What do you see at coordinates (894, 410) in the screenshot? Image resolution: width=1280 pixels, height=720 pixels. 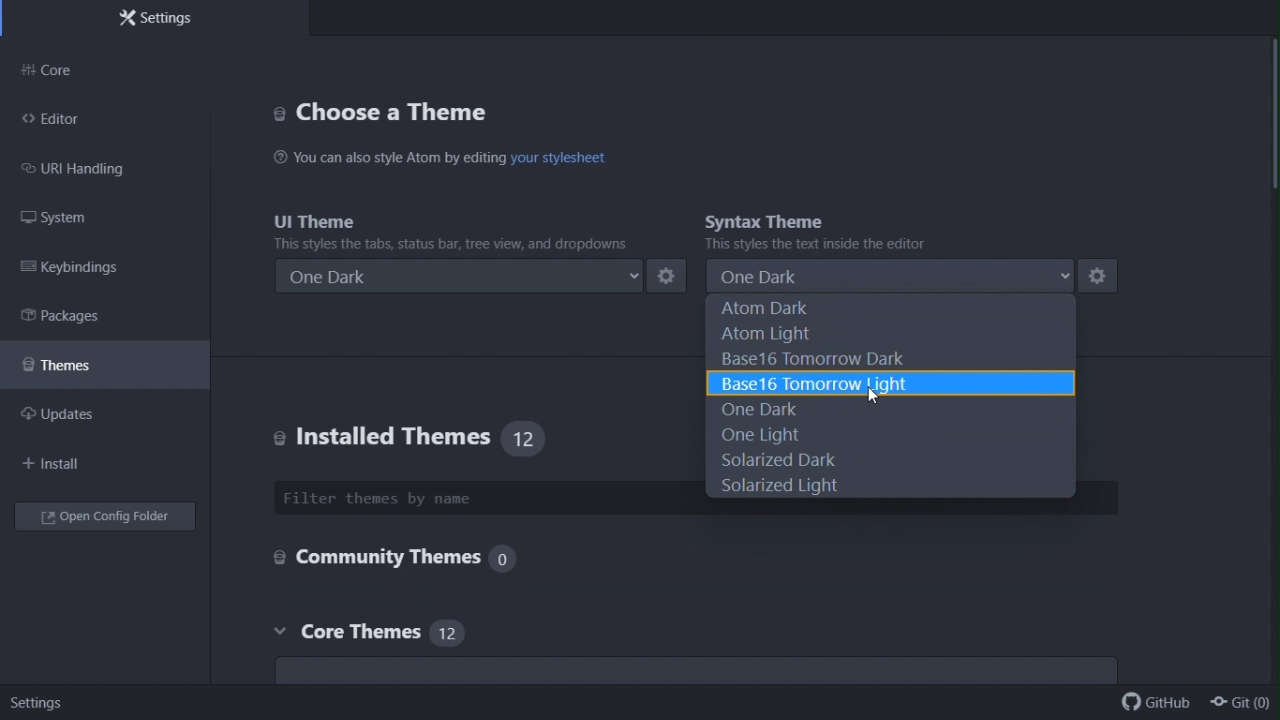 I see `One dark` at bounding box center [894, 410].